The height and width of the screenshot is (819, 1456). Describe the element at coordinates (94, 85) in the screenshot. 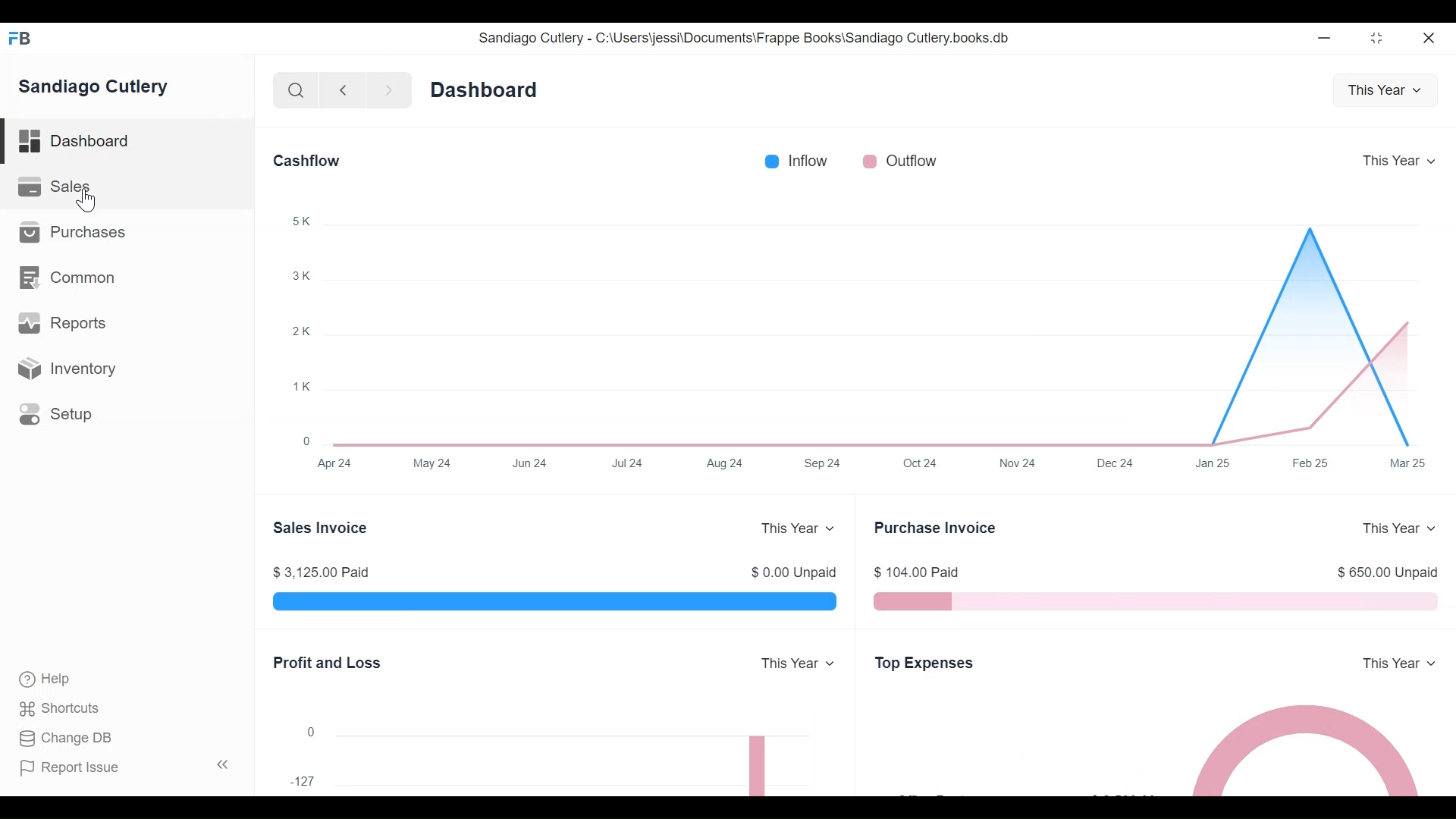

I see `Sandiago Cutlery` at that location.